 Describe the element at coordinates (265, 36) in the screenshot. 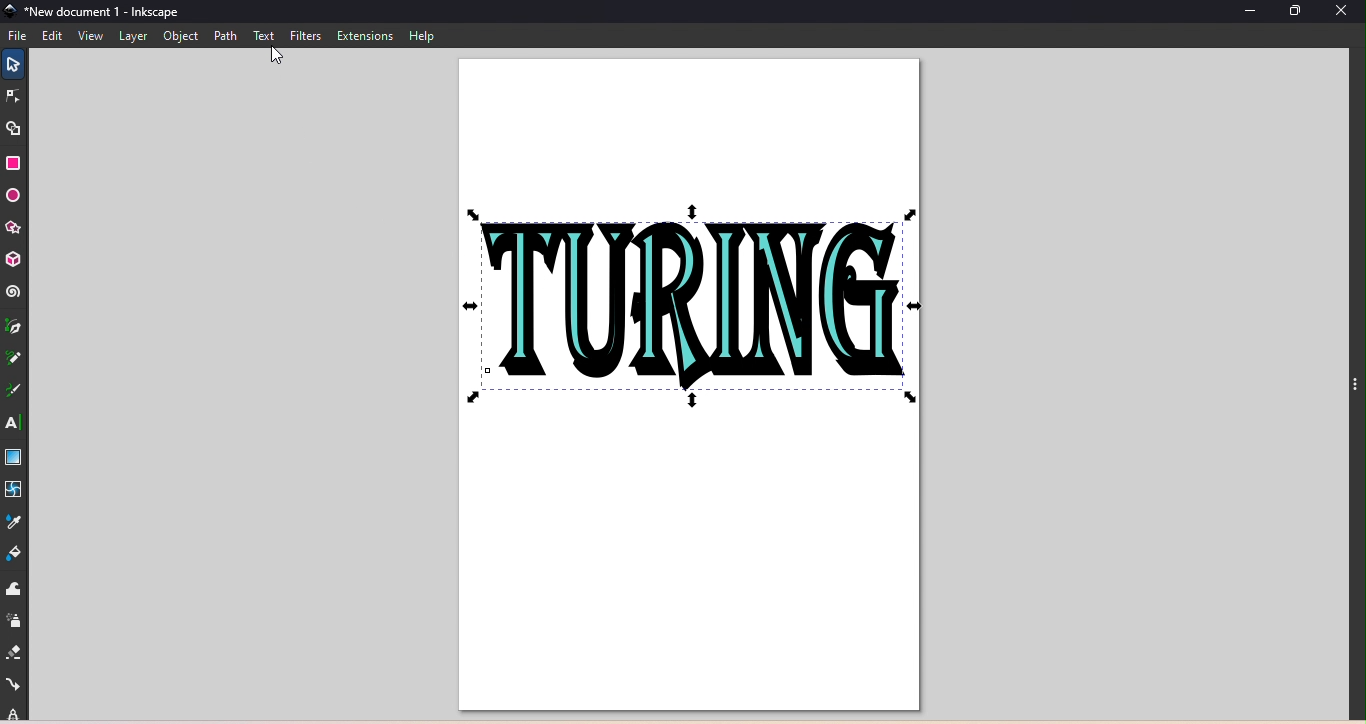

I see `Text` at that location.